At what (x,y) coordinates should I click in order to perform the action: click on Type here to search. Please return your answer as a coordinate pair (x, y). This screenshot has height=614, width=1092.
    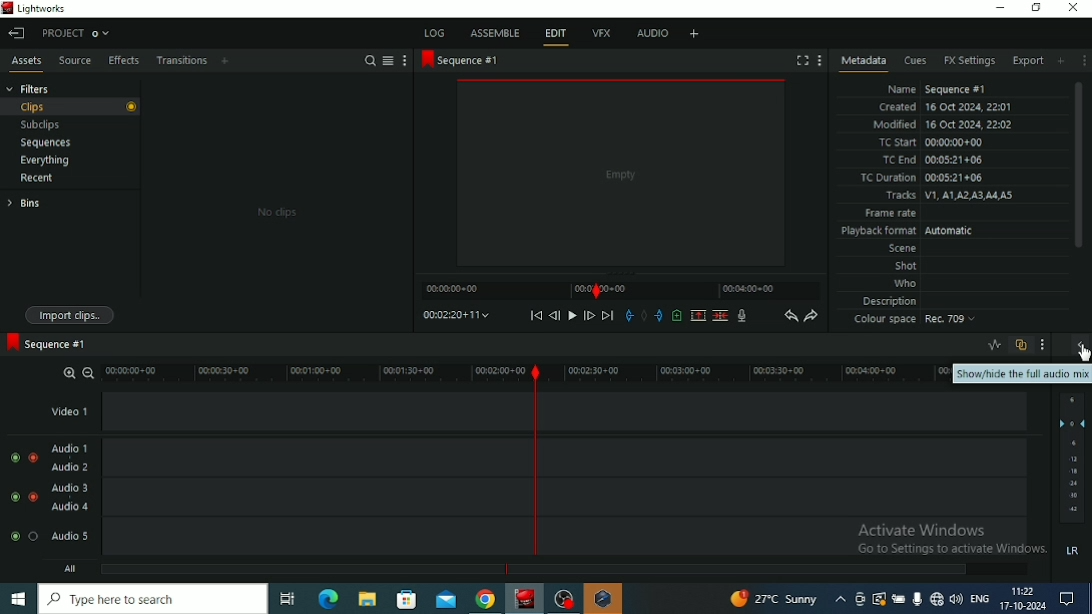
    Looking at the image, I should click on (154, 598).